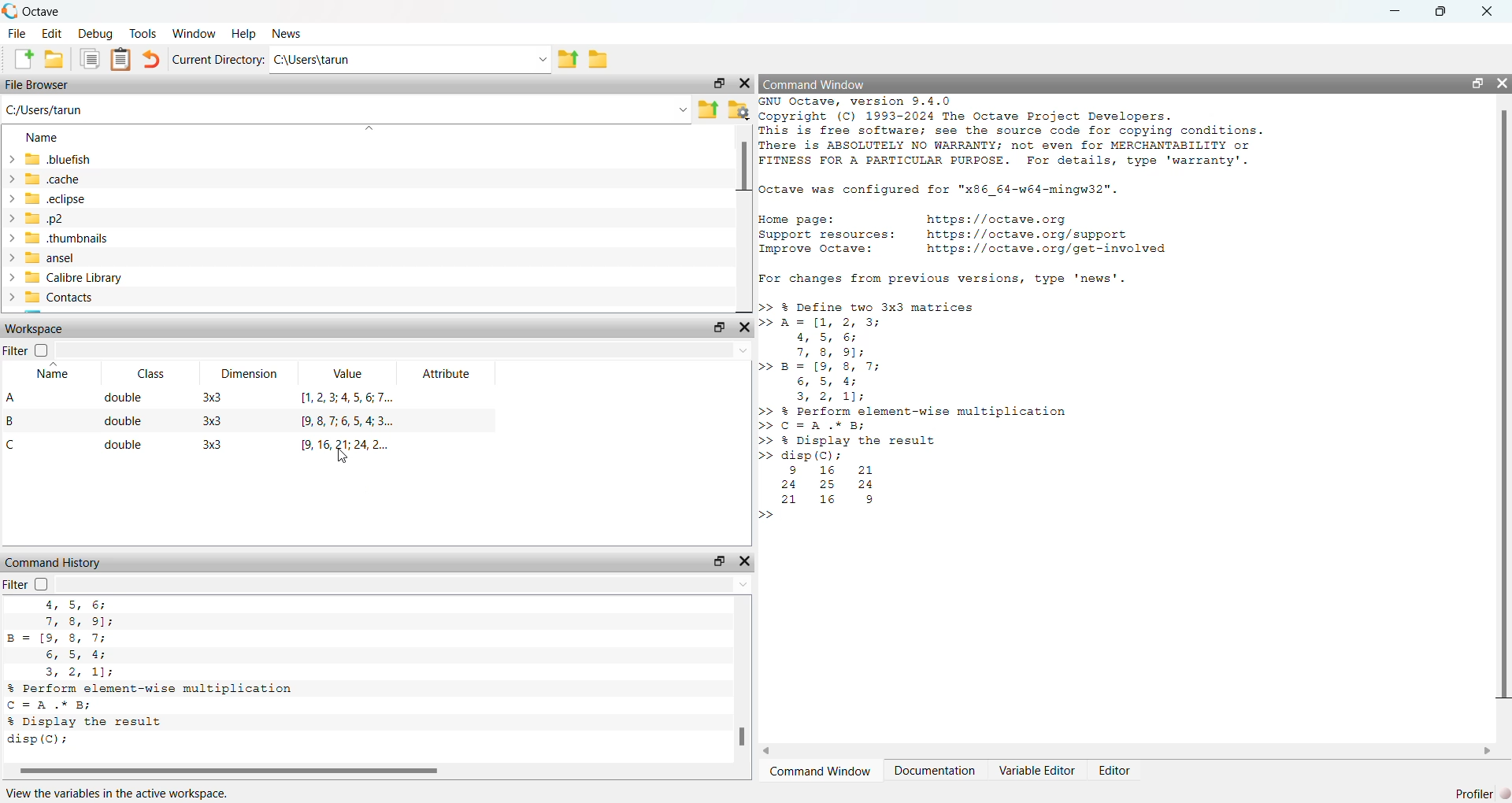 The height and width of the screenshot is (803, 1512). Describe the element at coordinates (16, 350) in the screenshot. I see `Filter` at that location.